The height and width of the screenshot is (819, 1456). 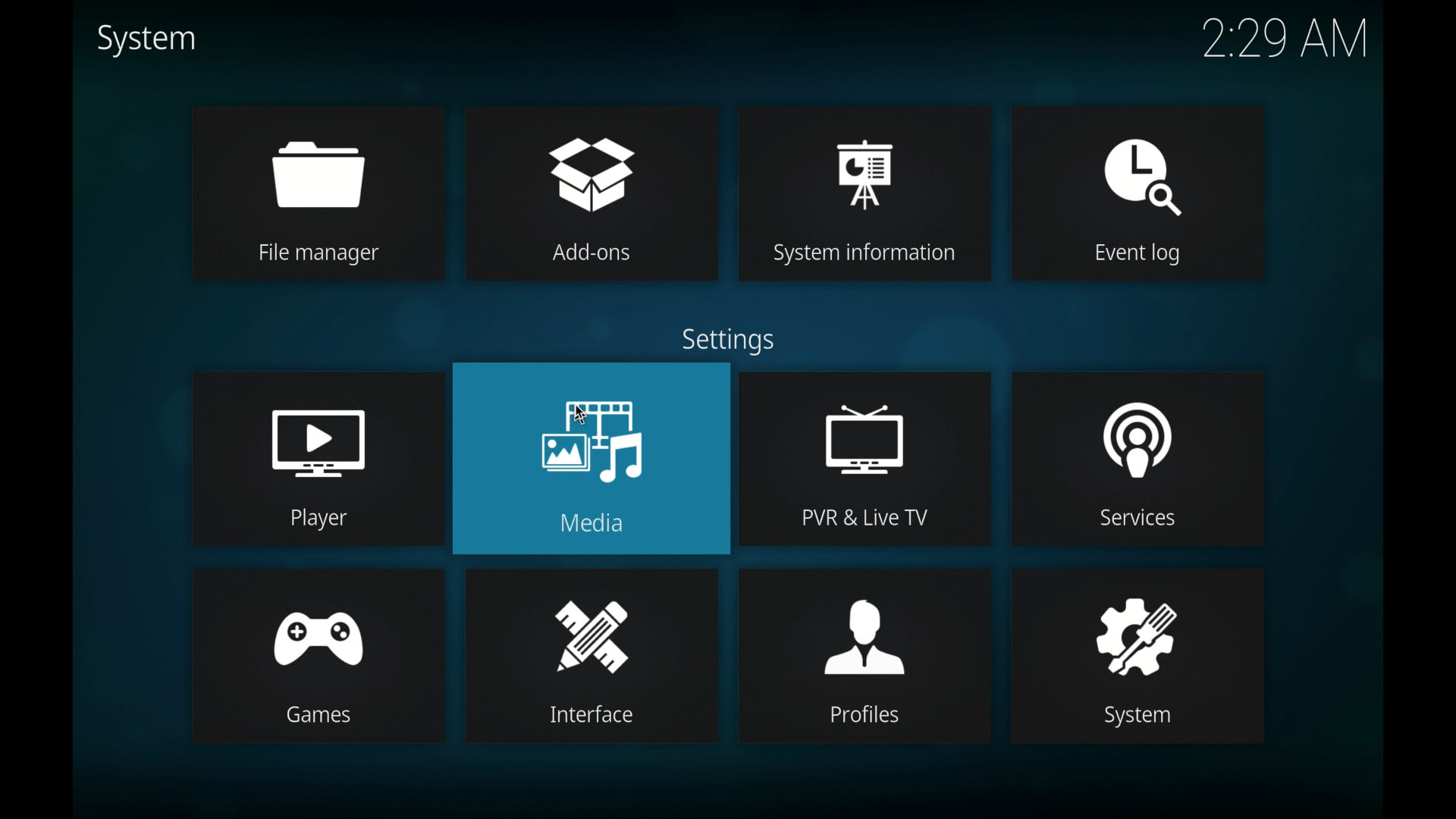 I want to click on games, so click(x=314, y=622).